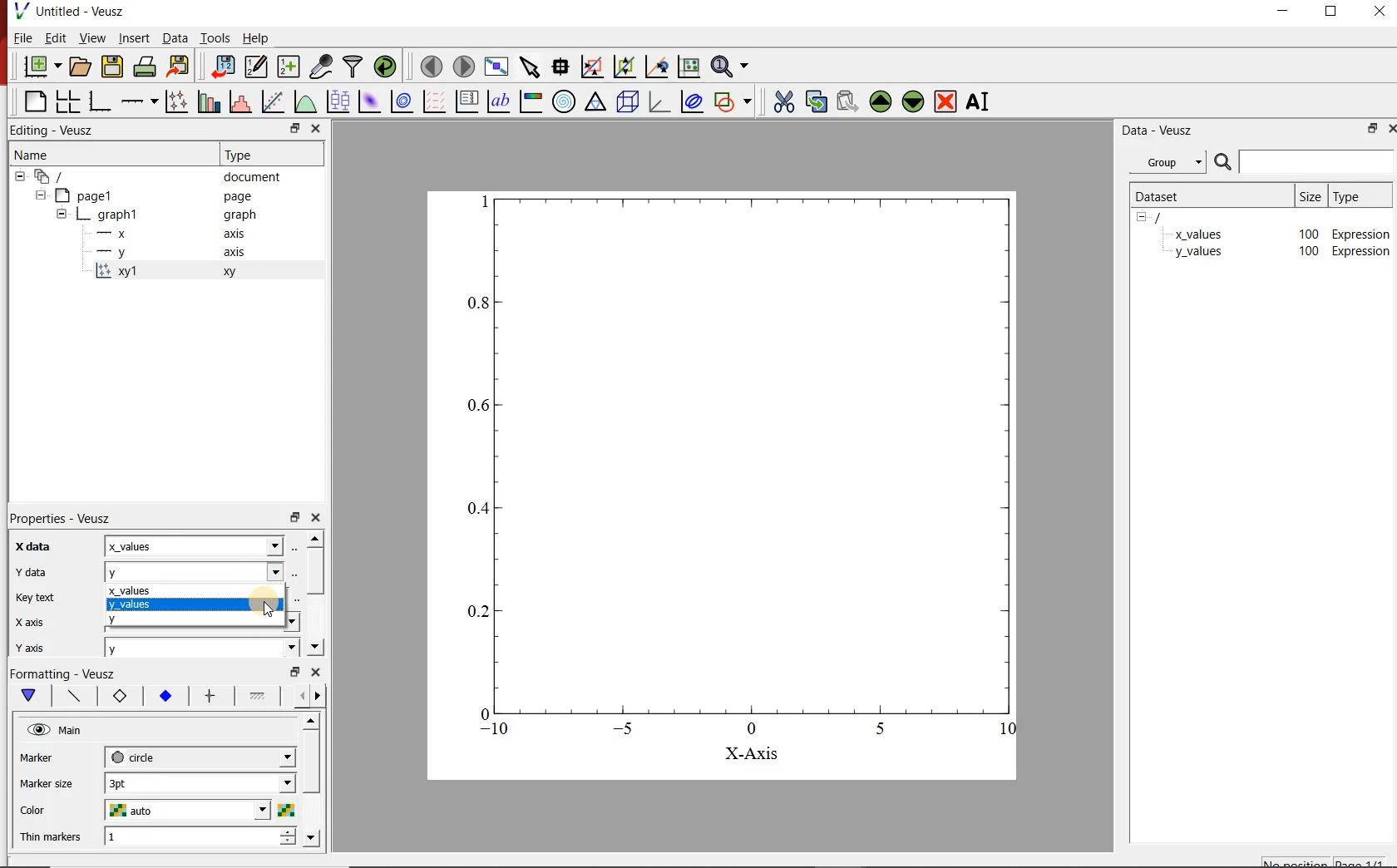 Image resolution: width=1397 pixels, height=868 pixels. I want to click on fill 1, so click(262, 695).